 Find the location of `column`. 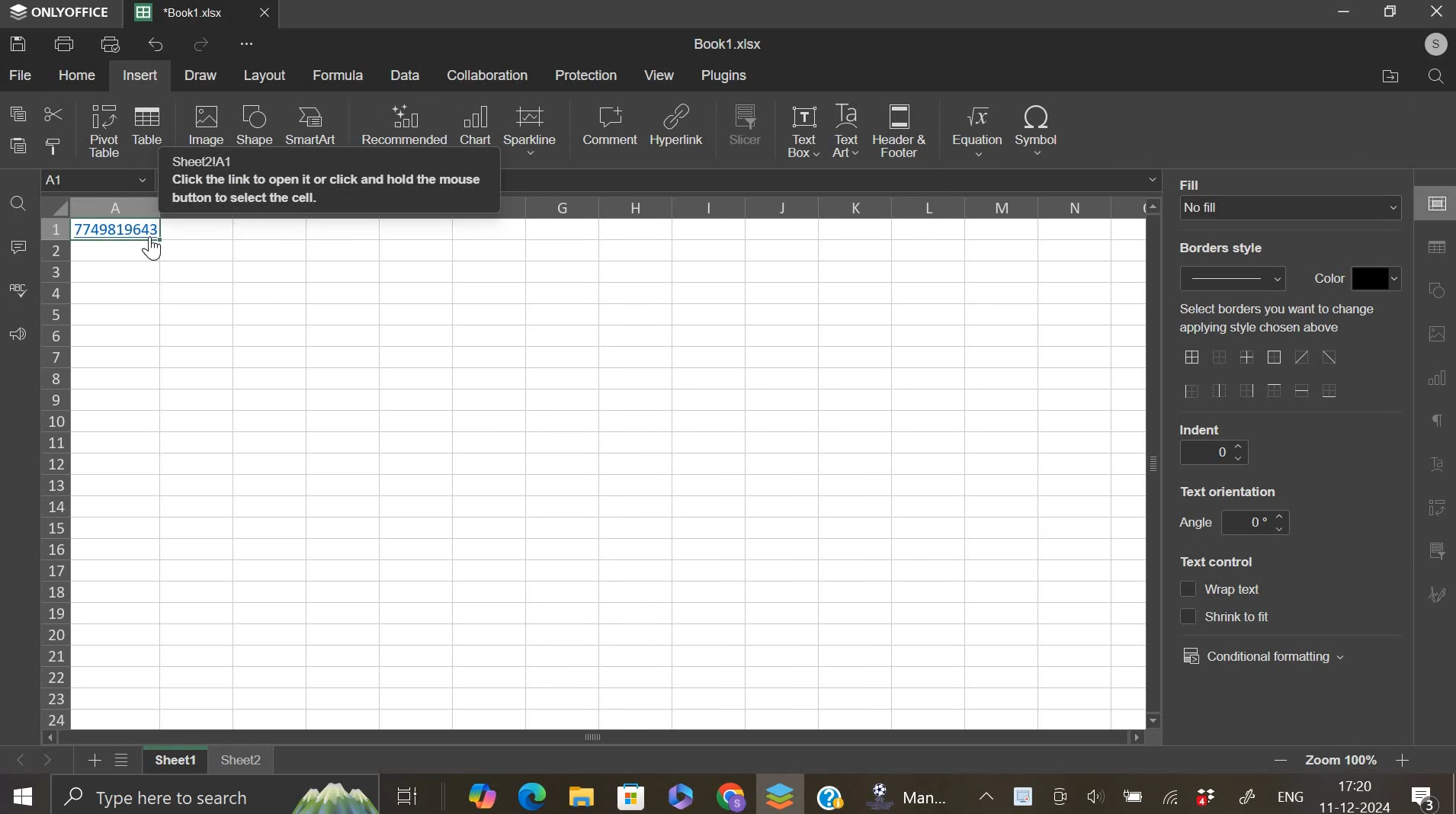

column is located at coordinates (825, 207).